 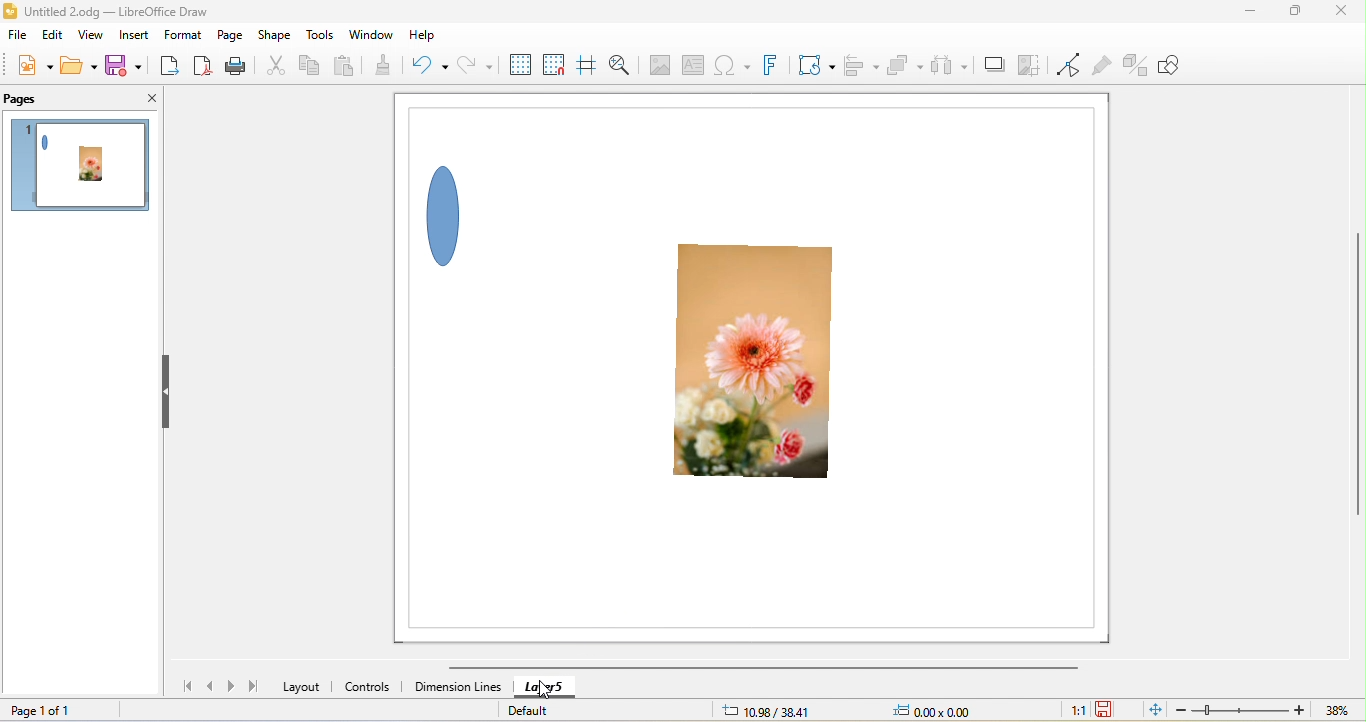 I want to click on layer 5, so click(x=560, y=687).